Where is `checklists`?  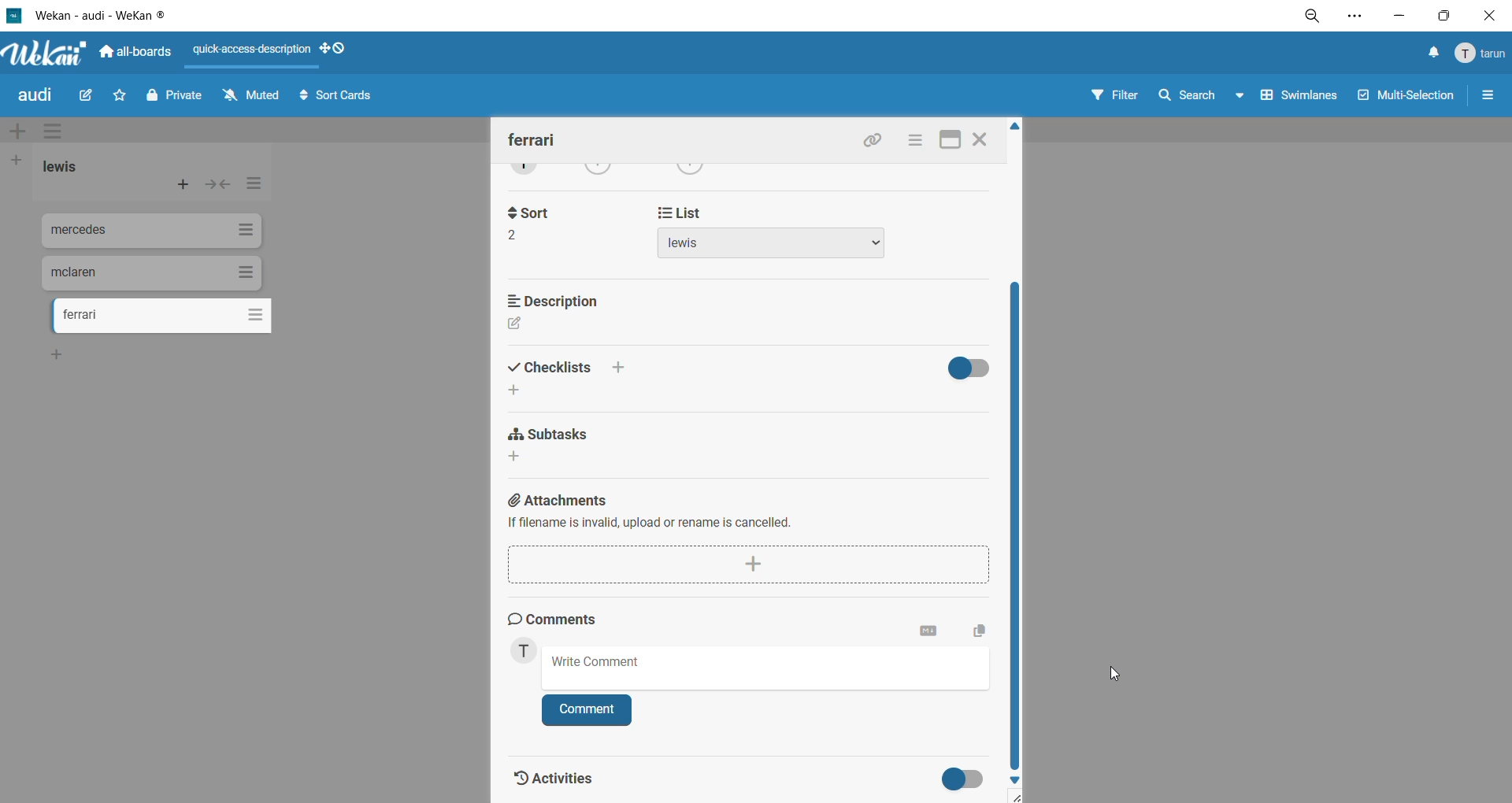 checklists is located at coordinates (569, 368).